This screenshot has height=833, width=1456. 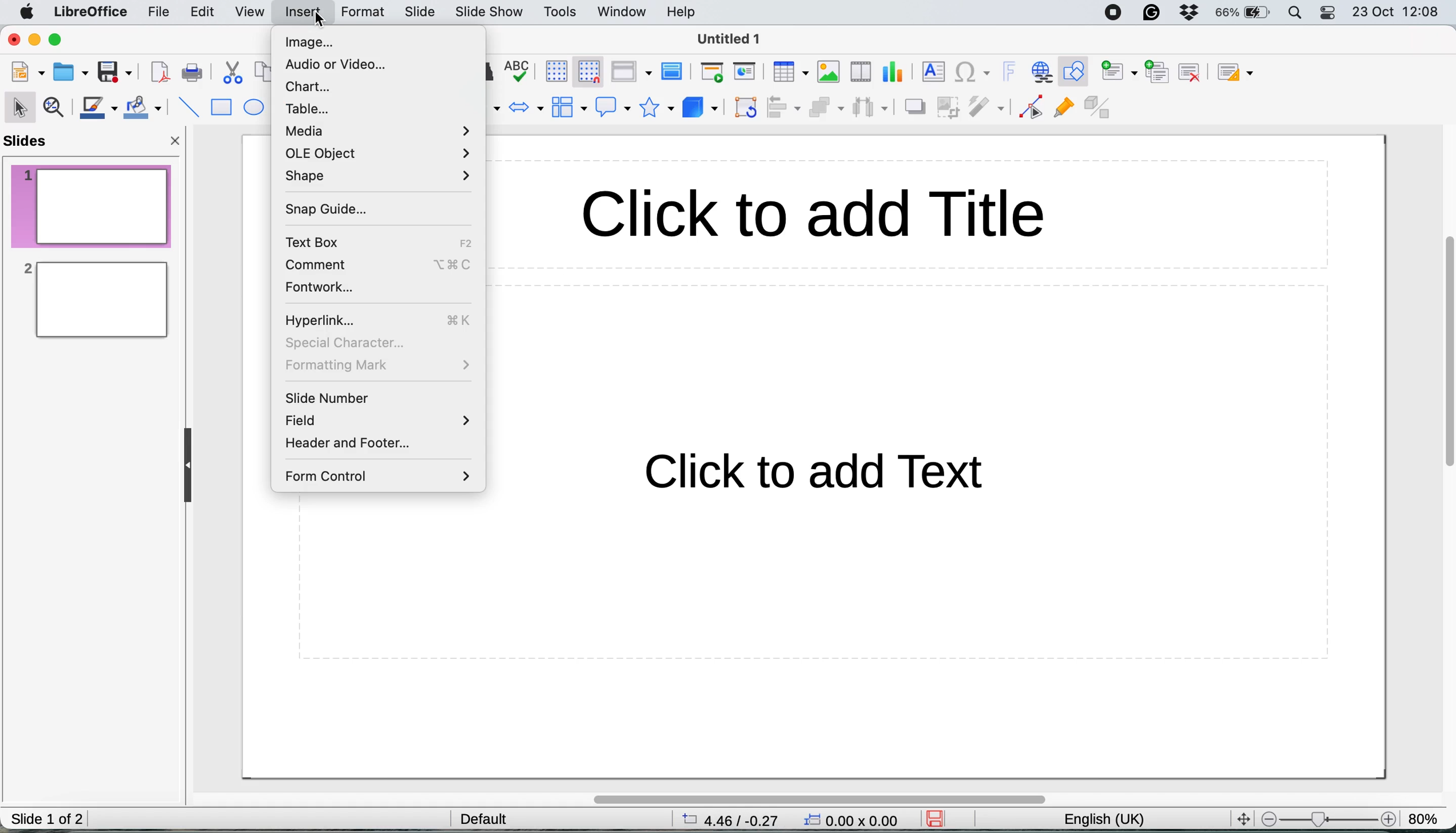 What do you see at coordinates (1031, 110) in the screenshot?
I see `toggle point edit mode` at bounding box center [1031, 110].